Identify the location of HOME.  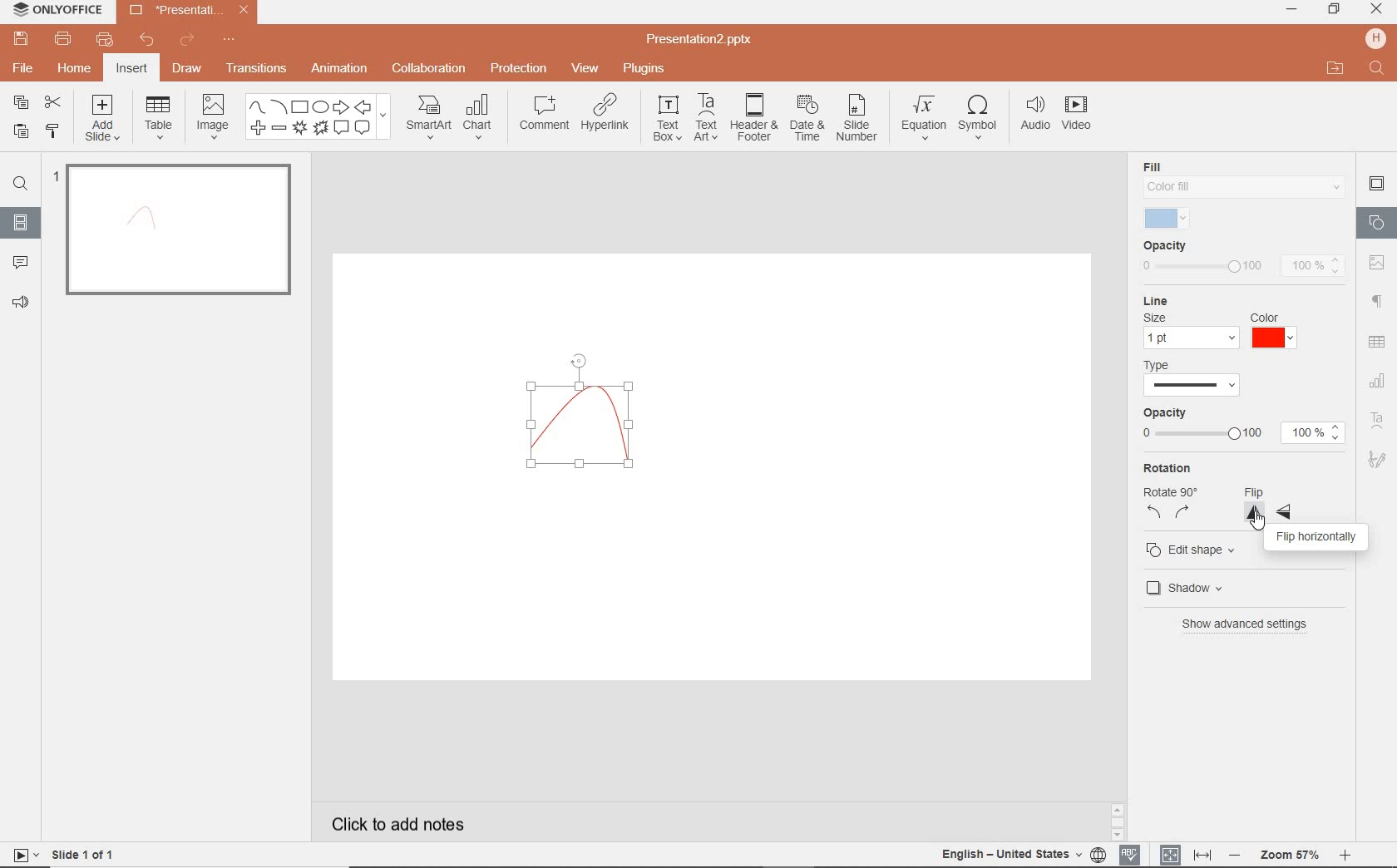
(73, 70).